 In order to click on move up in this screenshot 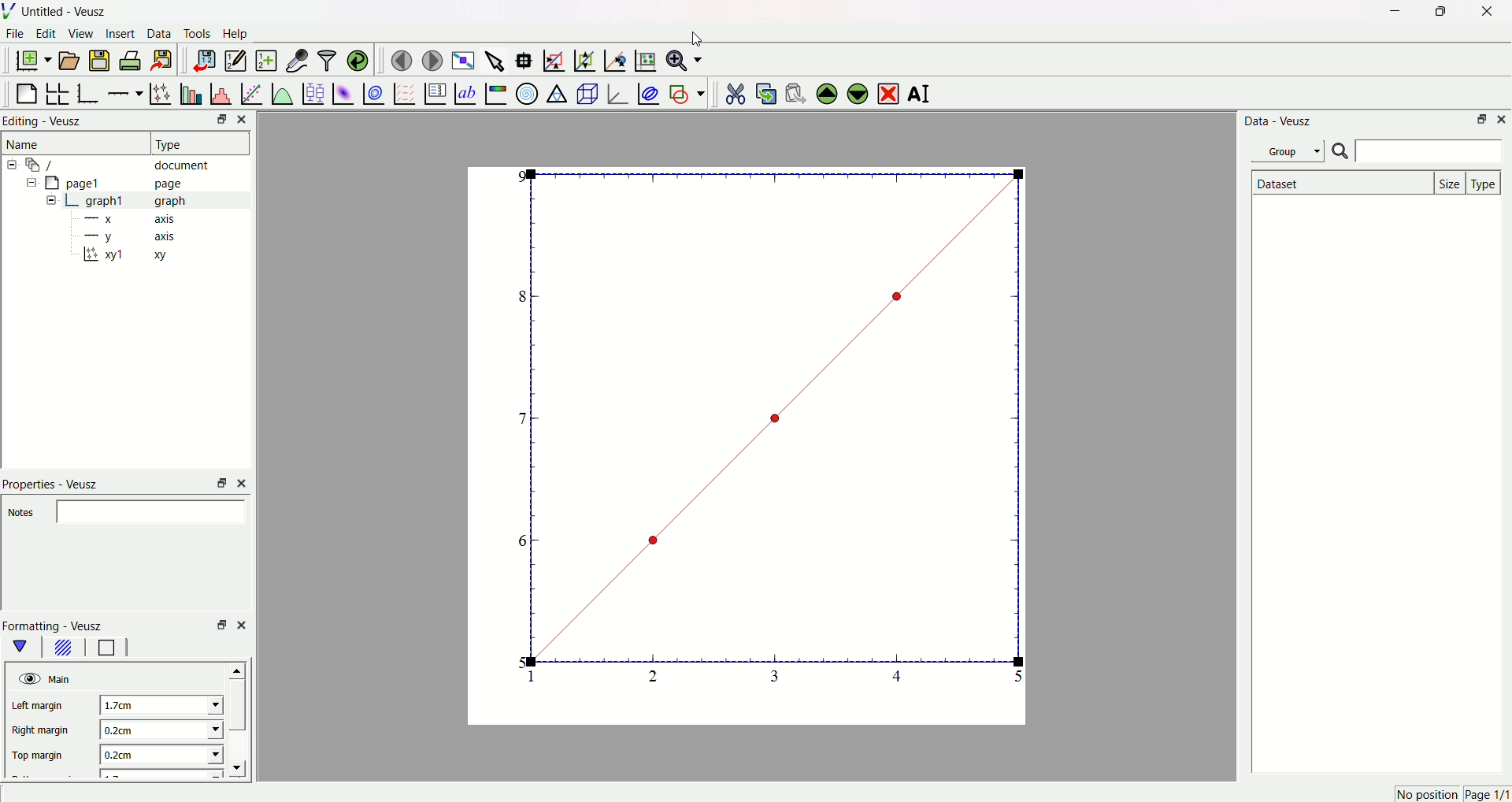, I will do `click(239, 668)`.